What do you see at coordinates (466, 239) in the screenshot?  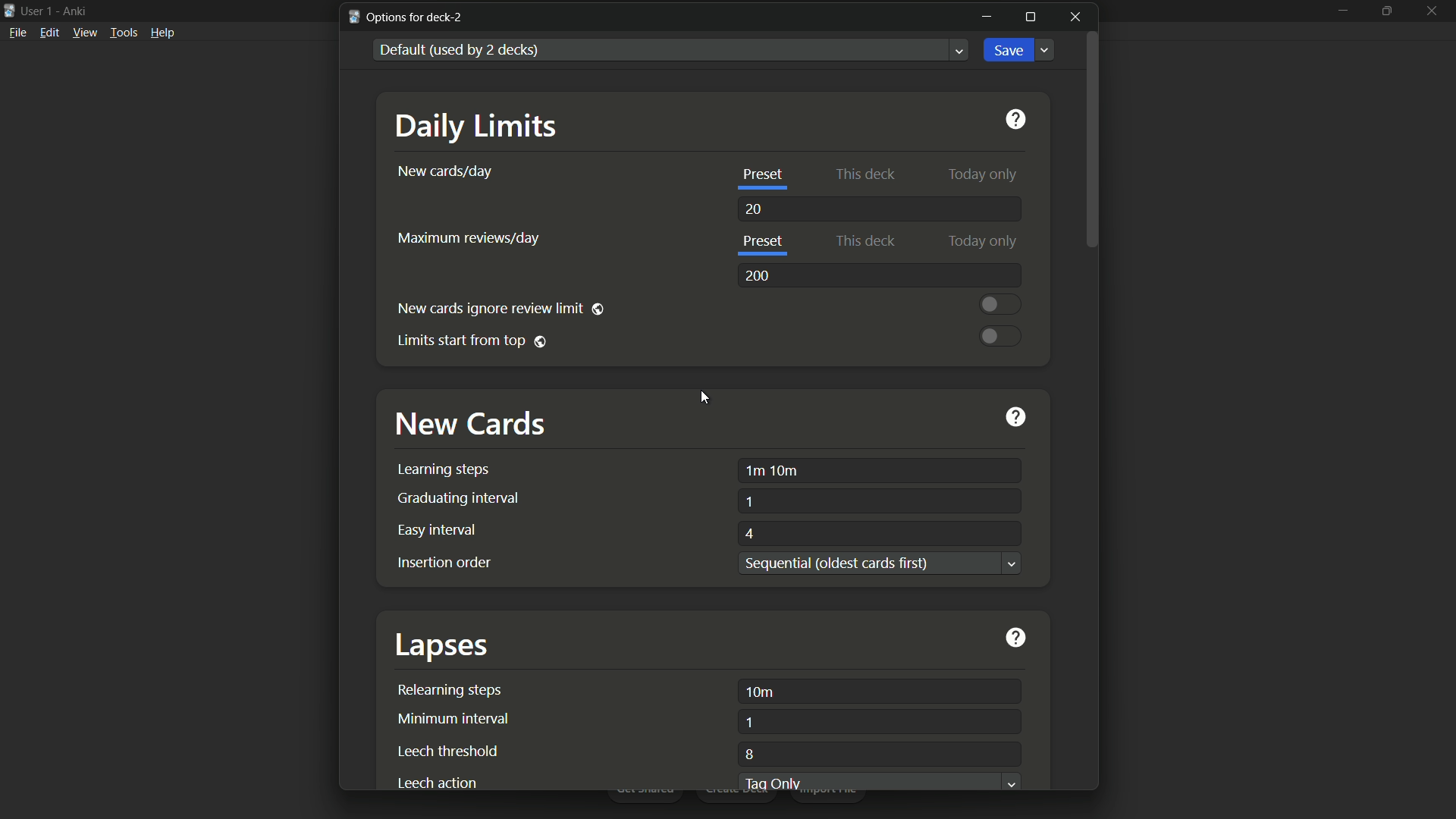 I see `maximum reviews per day` at bounding box center [466, 239].